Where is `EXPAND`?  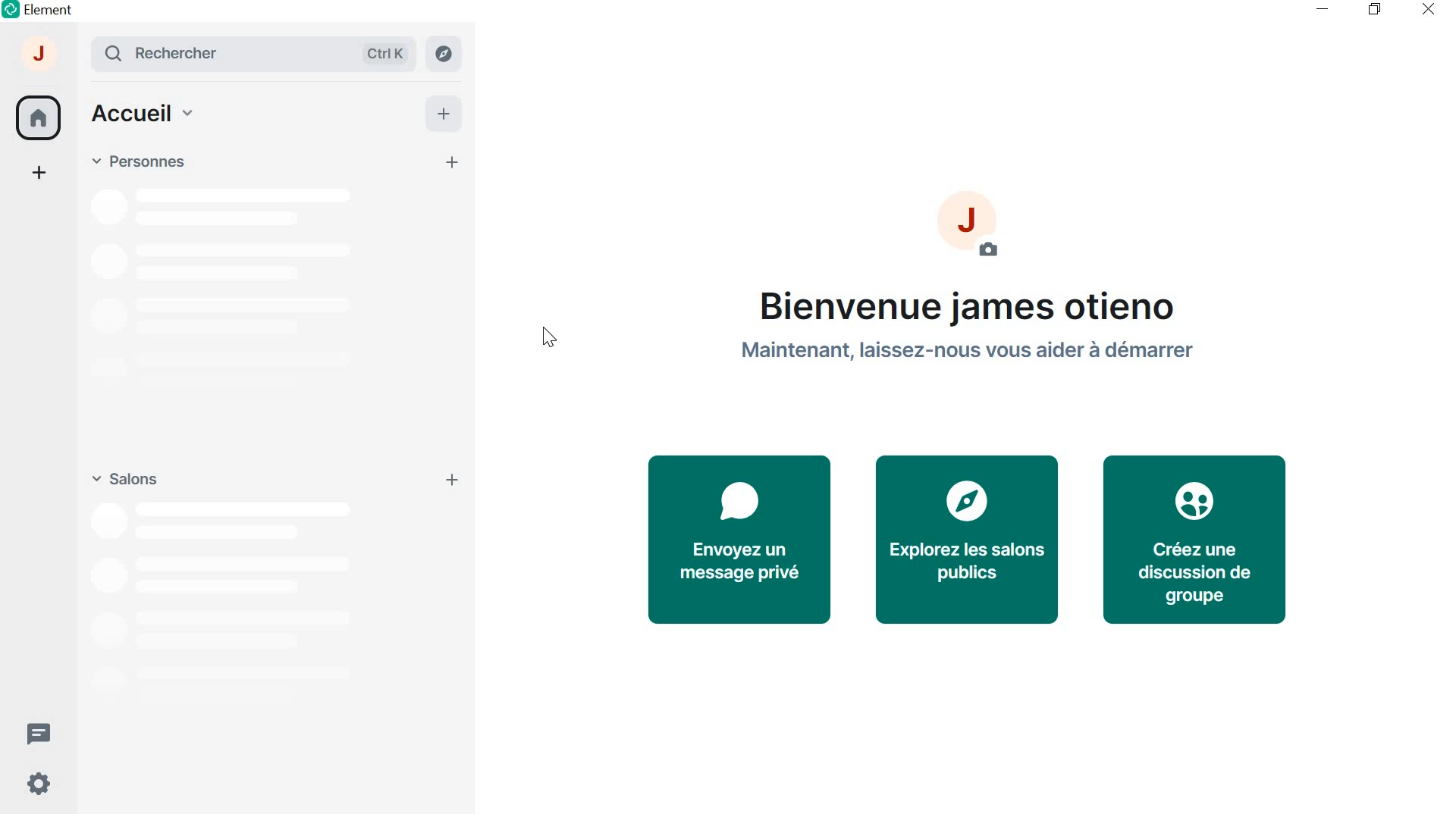
EXPAND is located at coordinates (79, 53).